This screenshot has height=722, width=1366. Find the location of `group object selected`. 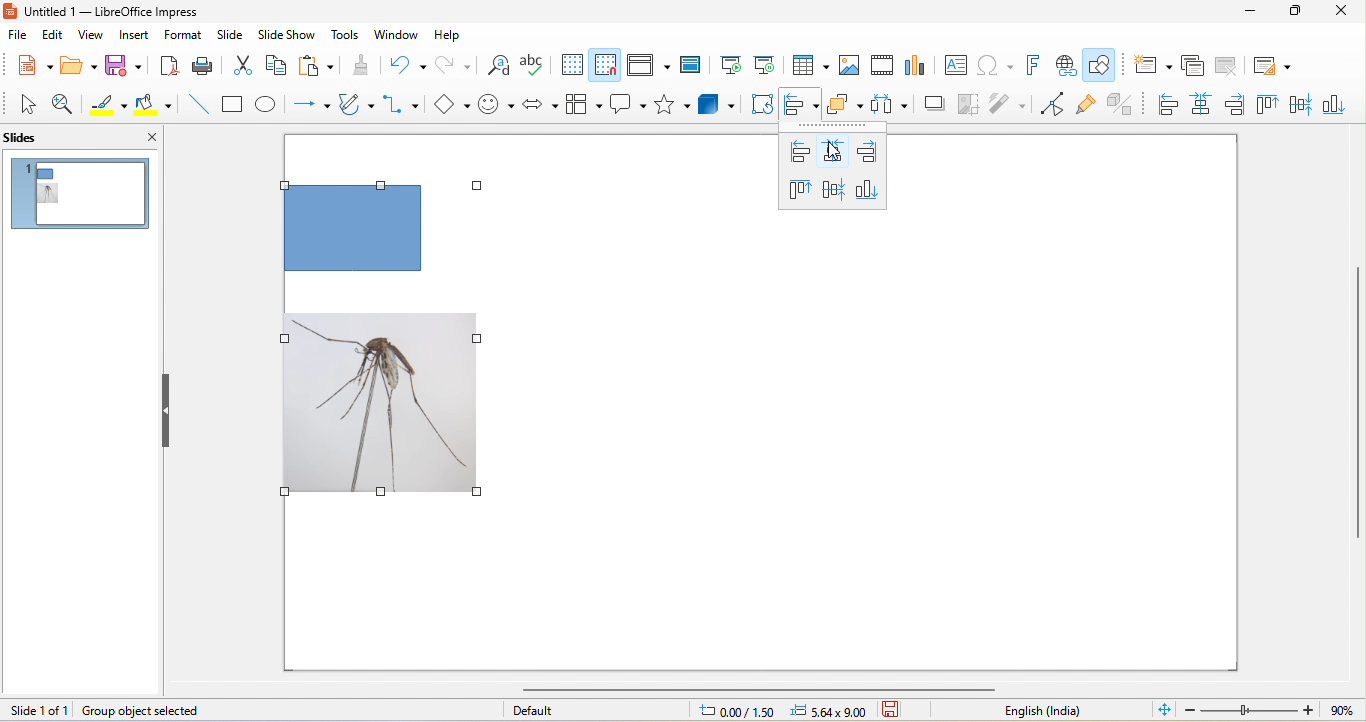

group object selected is located at coordinates (169, 709).